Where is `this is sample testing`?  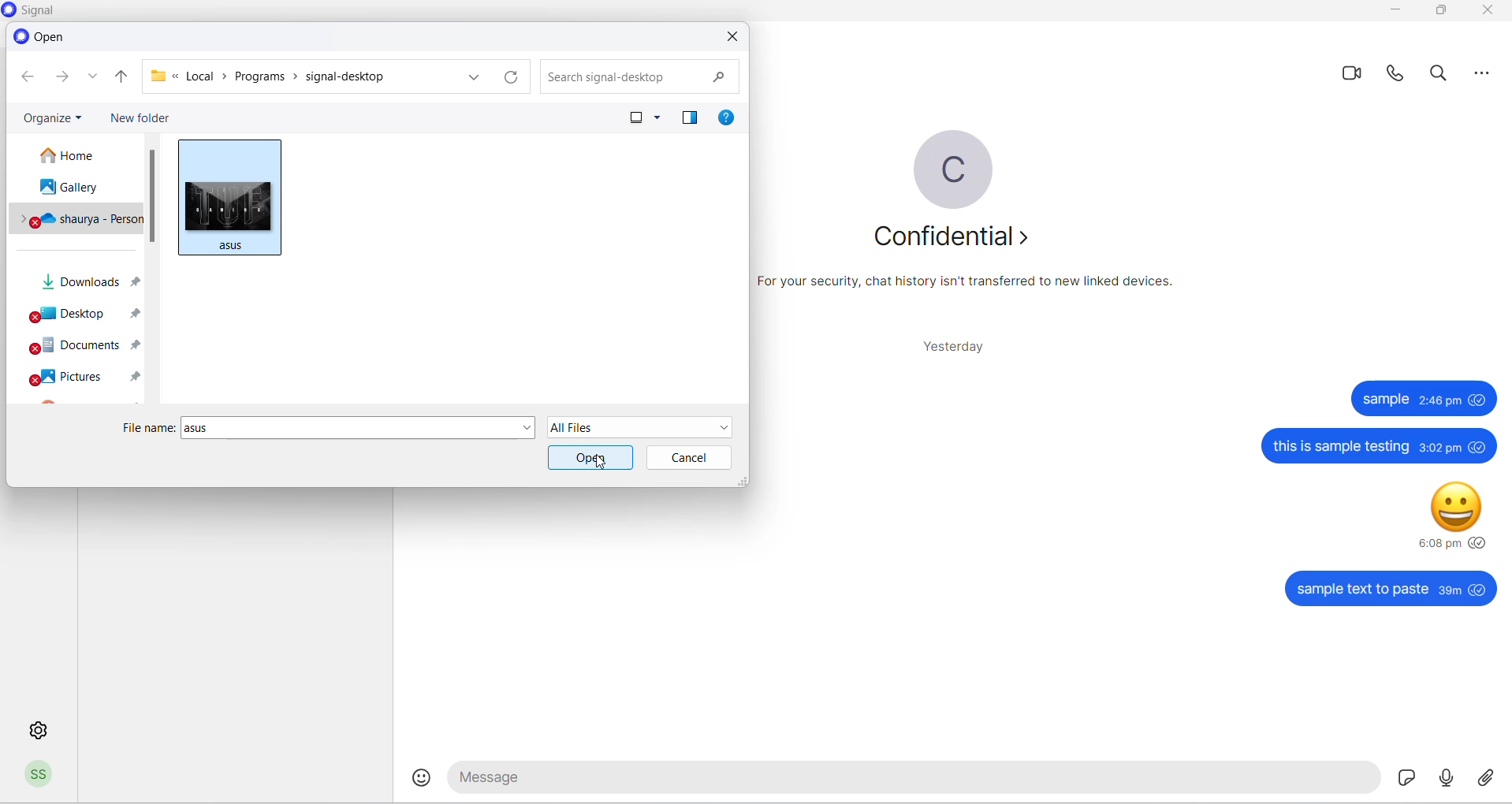
this is sample testing is located at coordinates (1341, 447).